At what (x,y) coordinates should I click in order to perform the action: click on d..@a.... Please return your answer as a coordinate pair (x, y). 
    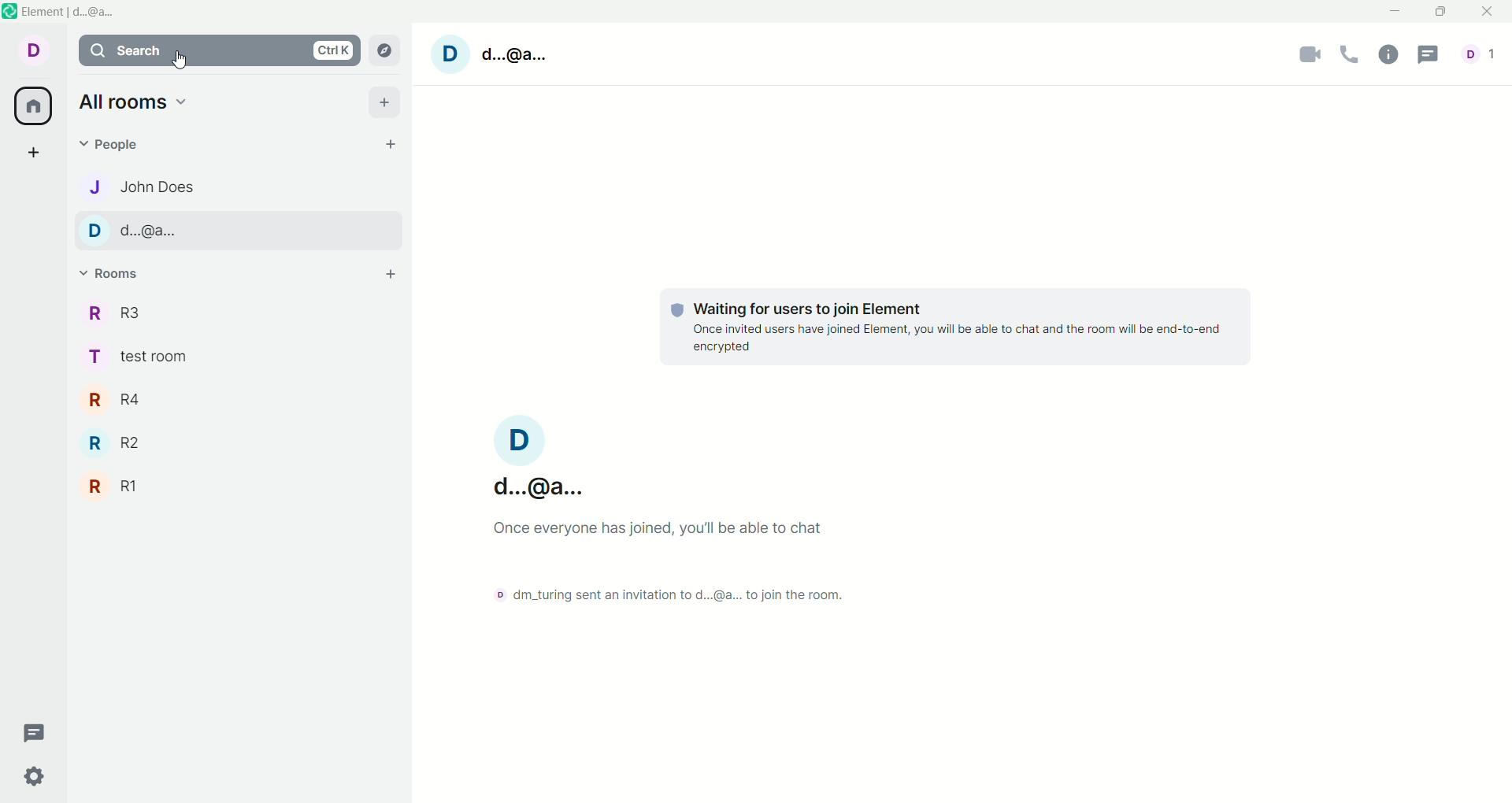
    Looking at the image, I should click on (513, 54).